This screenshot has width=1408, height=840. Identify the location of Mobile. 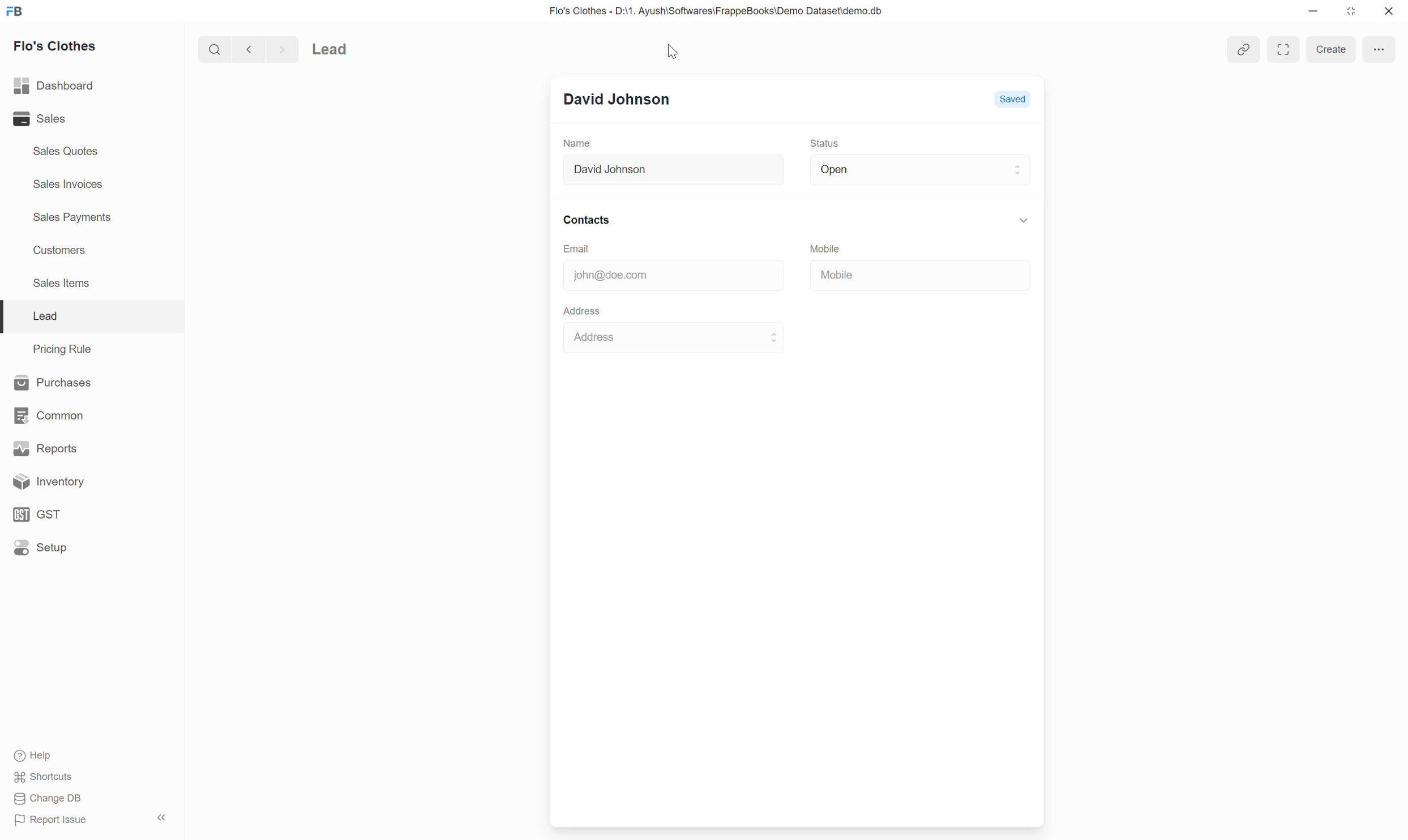
(886, 273).